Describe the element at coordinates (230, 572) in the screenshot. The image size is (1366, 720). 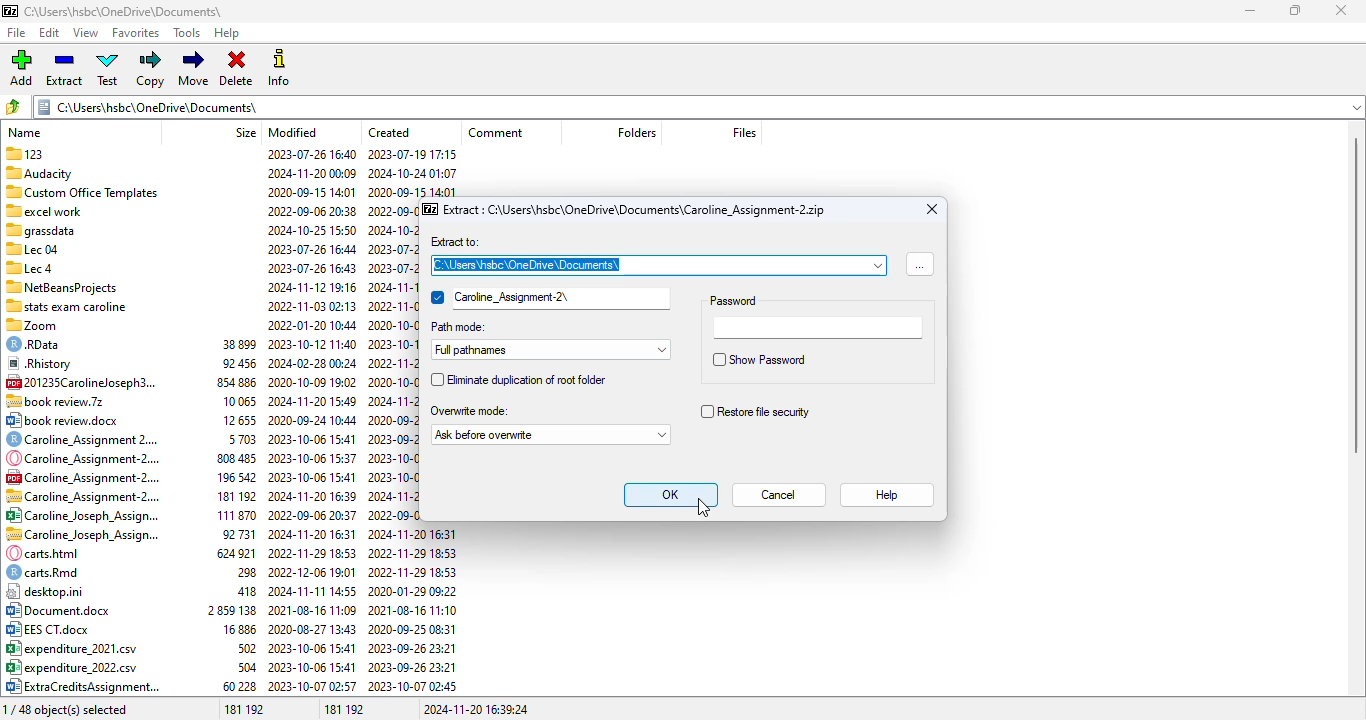
I see `carts.Rmd 298 2022-12-06 19:01 2022-11-29 18:53` at that location.